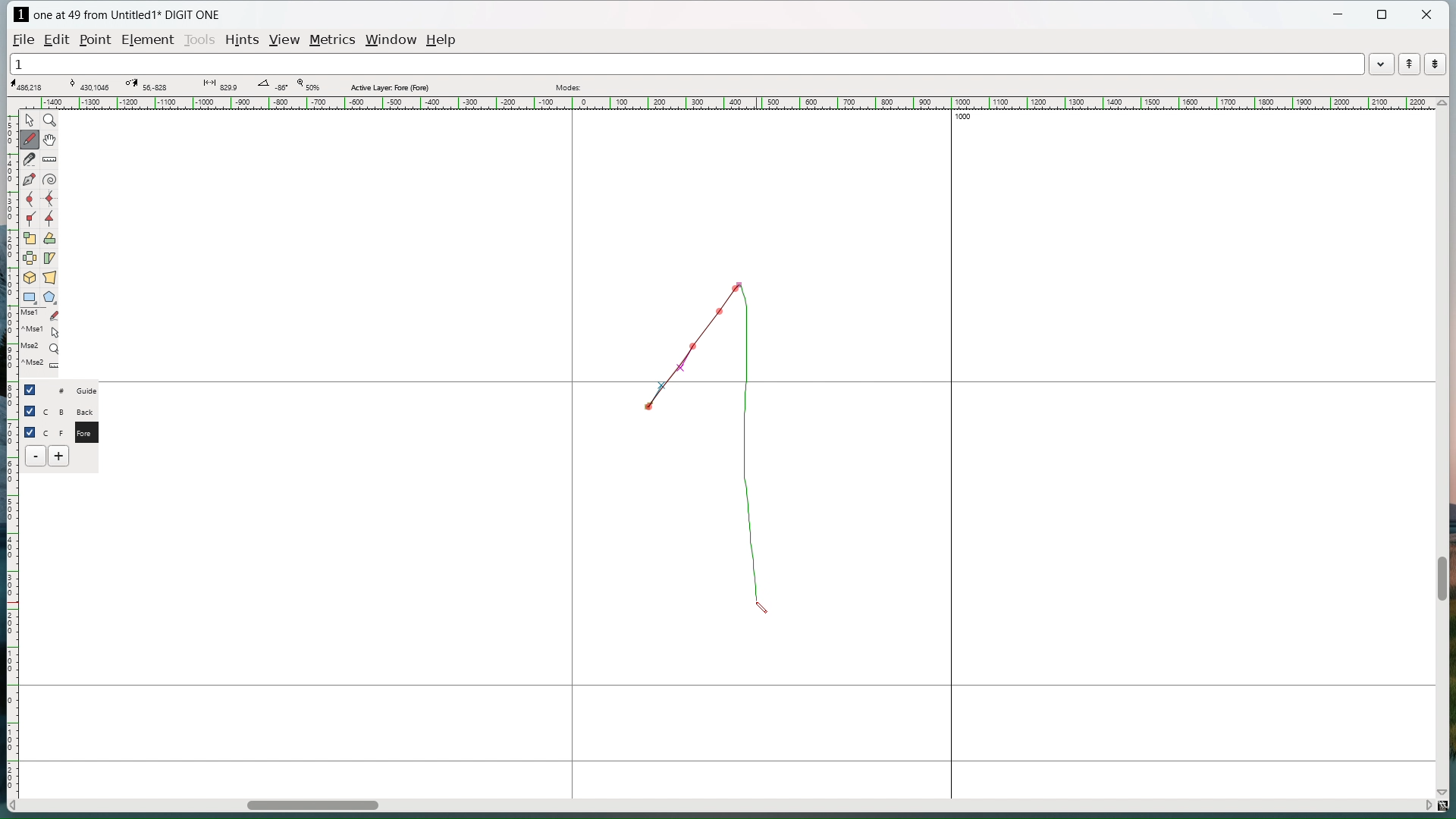 The height and width of the screenshot is (819, 1456). I want to click on metrics, so click(334, 41).